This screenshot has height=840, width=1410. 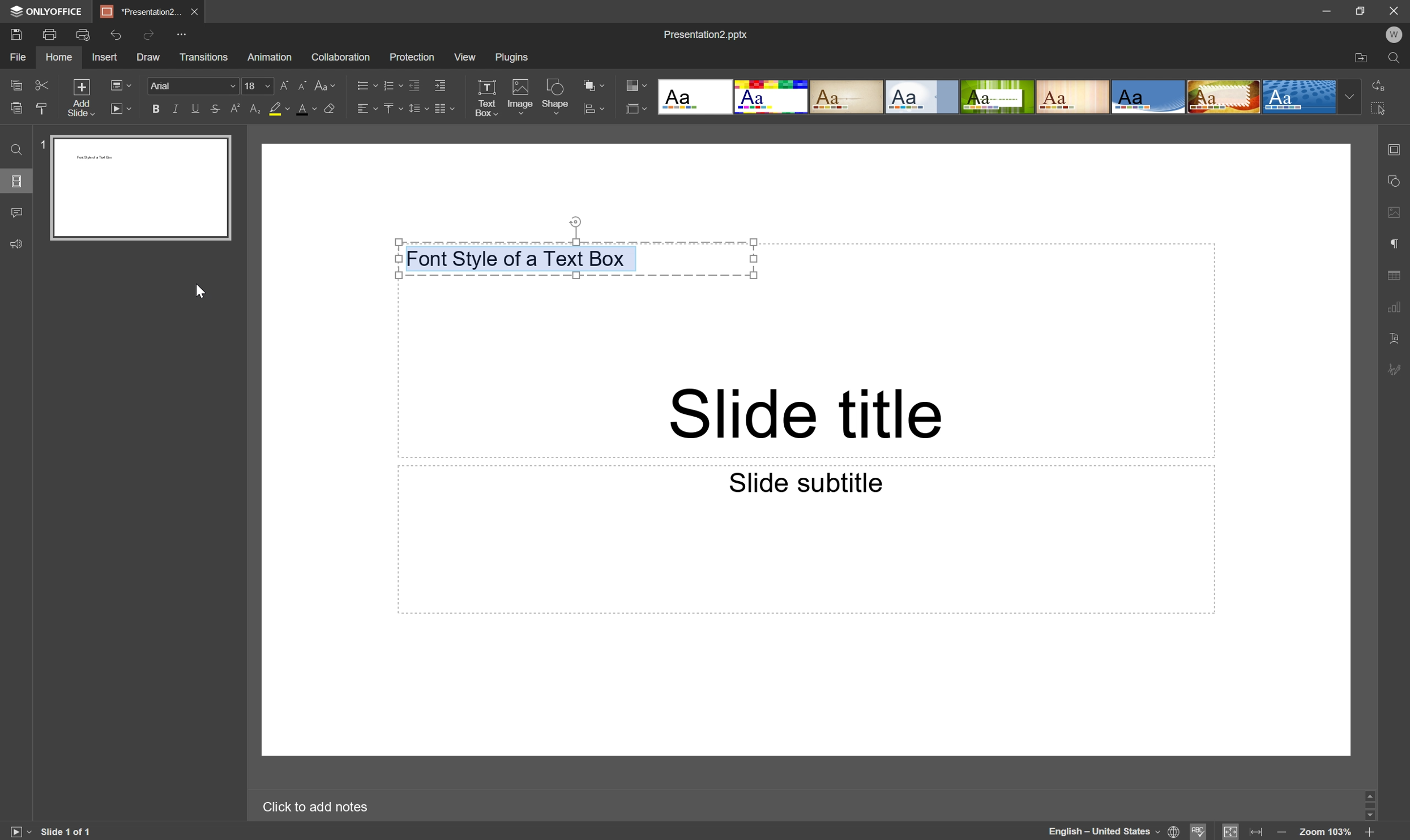 What do you see at coordinates (342, 54) in the screenshot?
I see `Collaboration` at bounding box center [342, 54].